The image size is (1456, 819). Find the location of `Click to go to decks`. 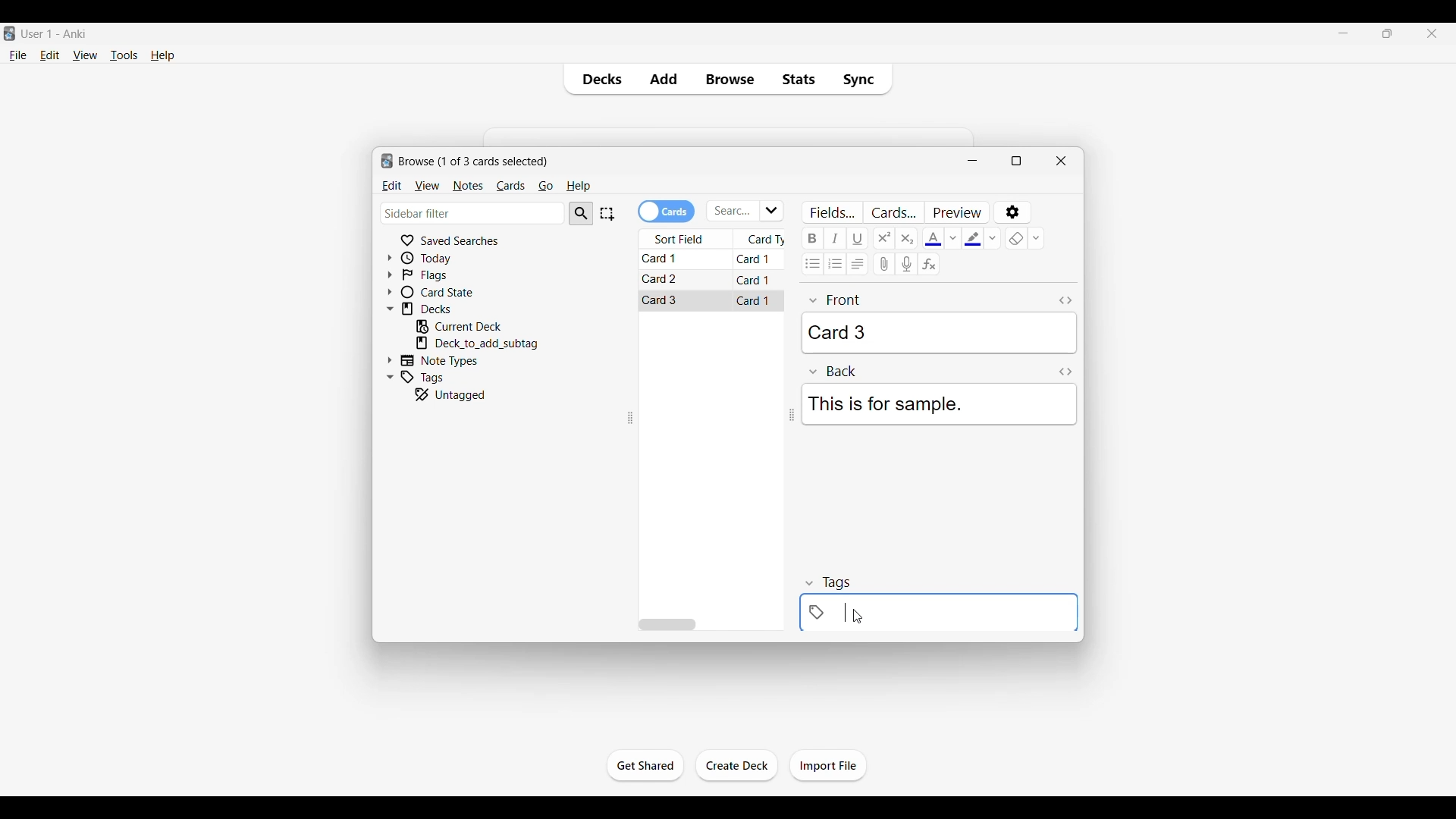

Click to go to decks is located at coordinates (450, 309).